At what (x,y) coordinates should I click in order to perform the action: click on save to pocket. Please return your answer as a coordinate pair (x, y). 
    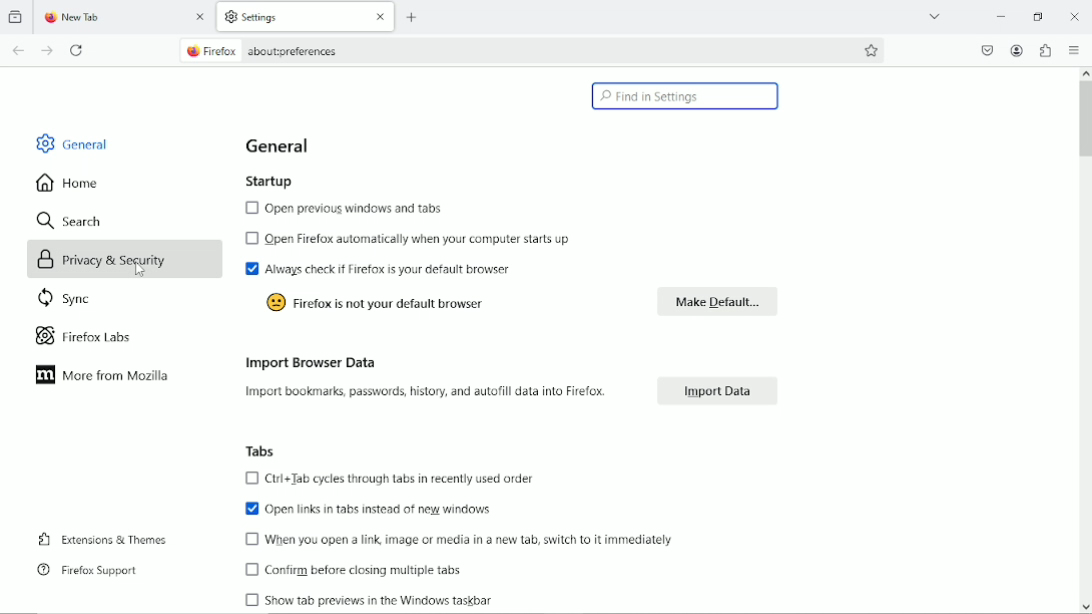
    Looking at the image, I should click on (986, 48).